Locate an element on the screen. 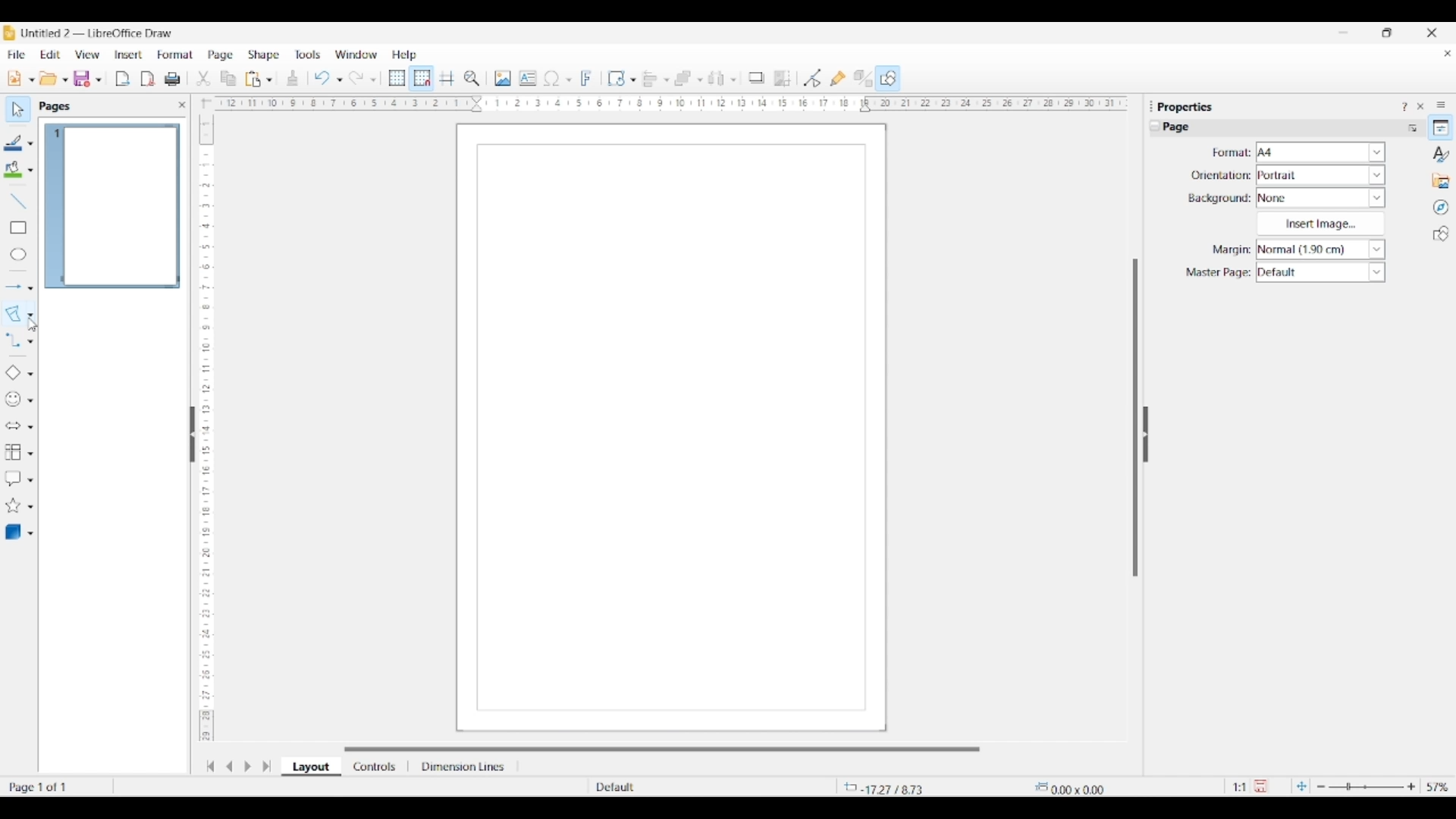 The image size is (1456, 819). Select objects to distribute options is located at coordinates (733, 80).